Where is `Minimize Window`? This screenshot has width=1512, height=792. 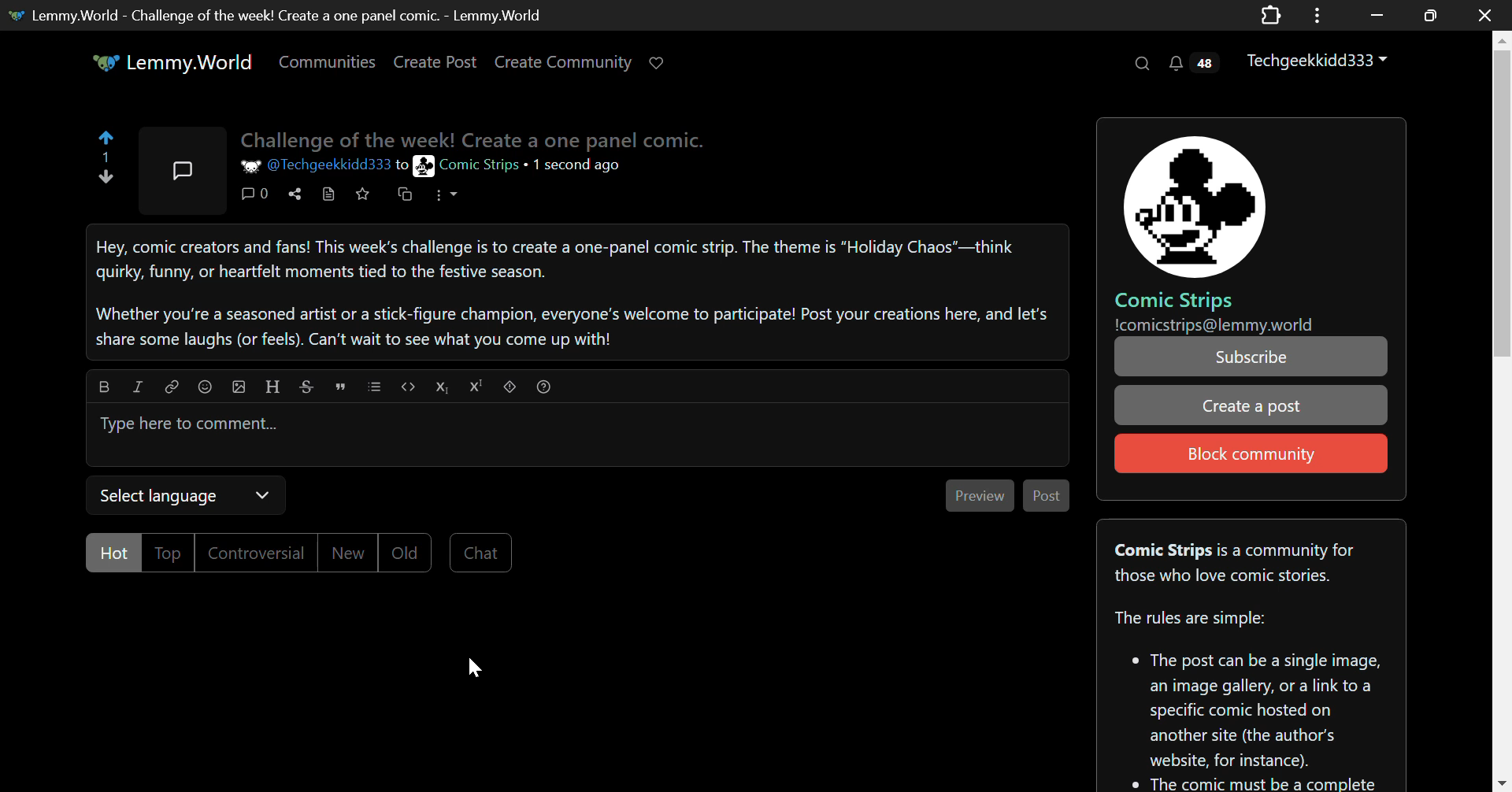 Minimize Window is located at coordinates (1432, 15).